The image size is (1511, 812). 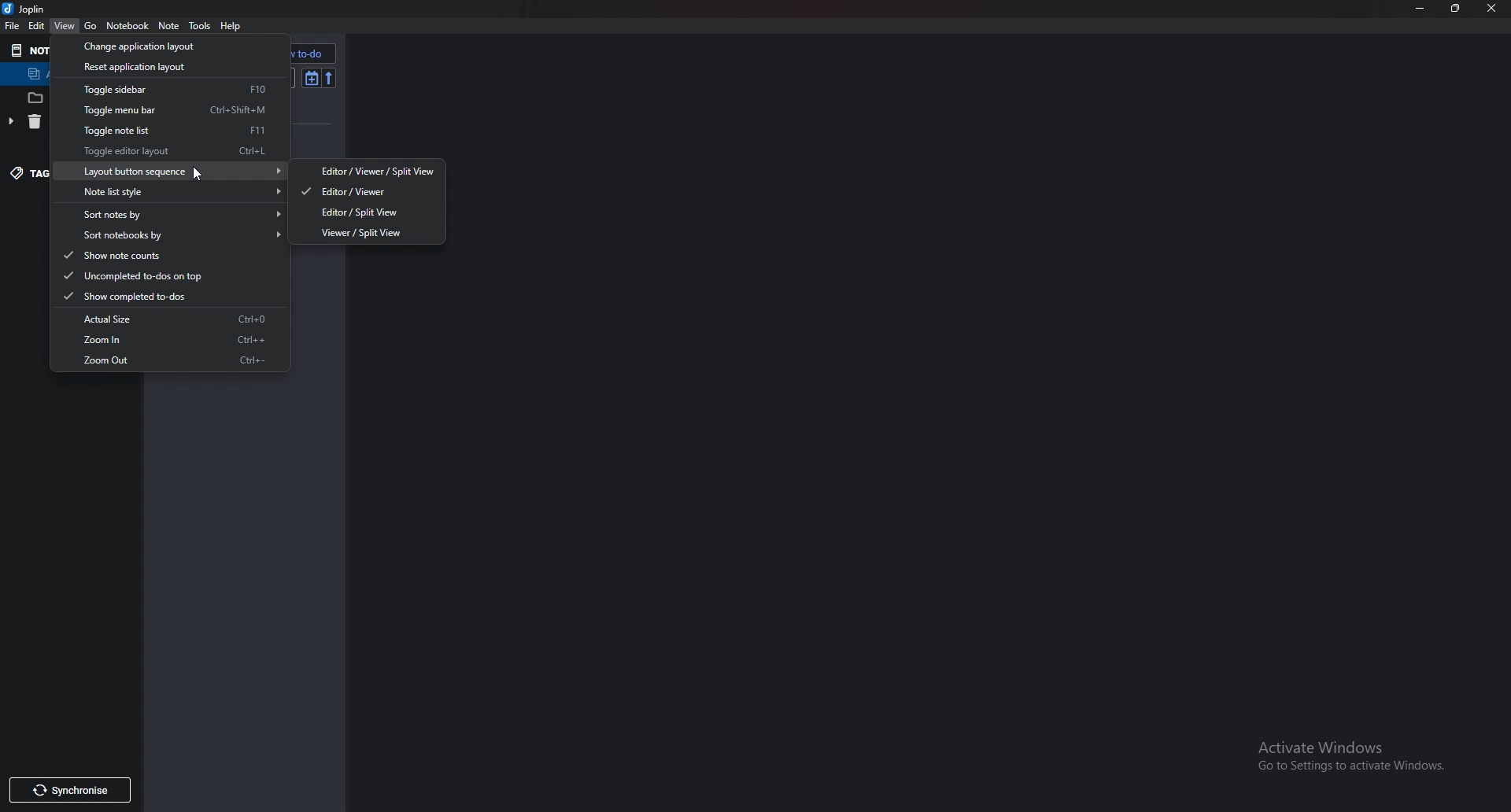 What do you see at coordinates (370, 212) in the screenshot?
I see `Editor/ Splitview` at bounding box center [370, 212].